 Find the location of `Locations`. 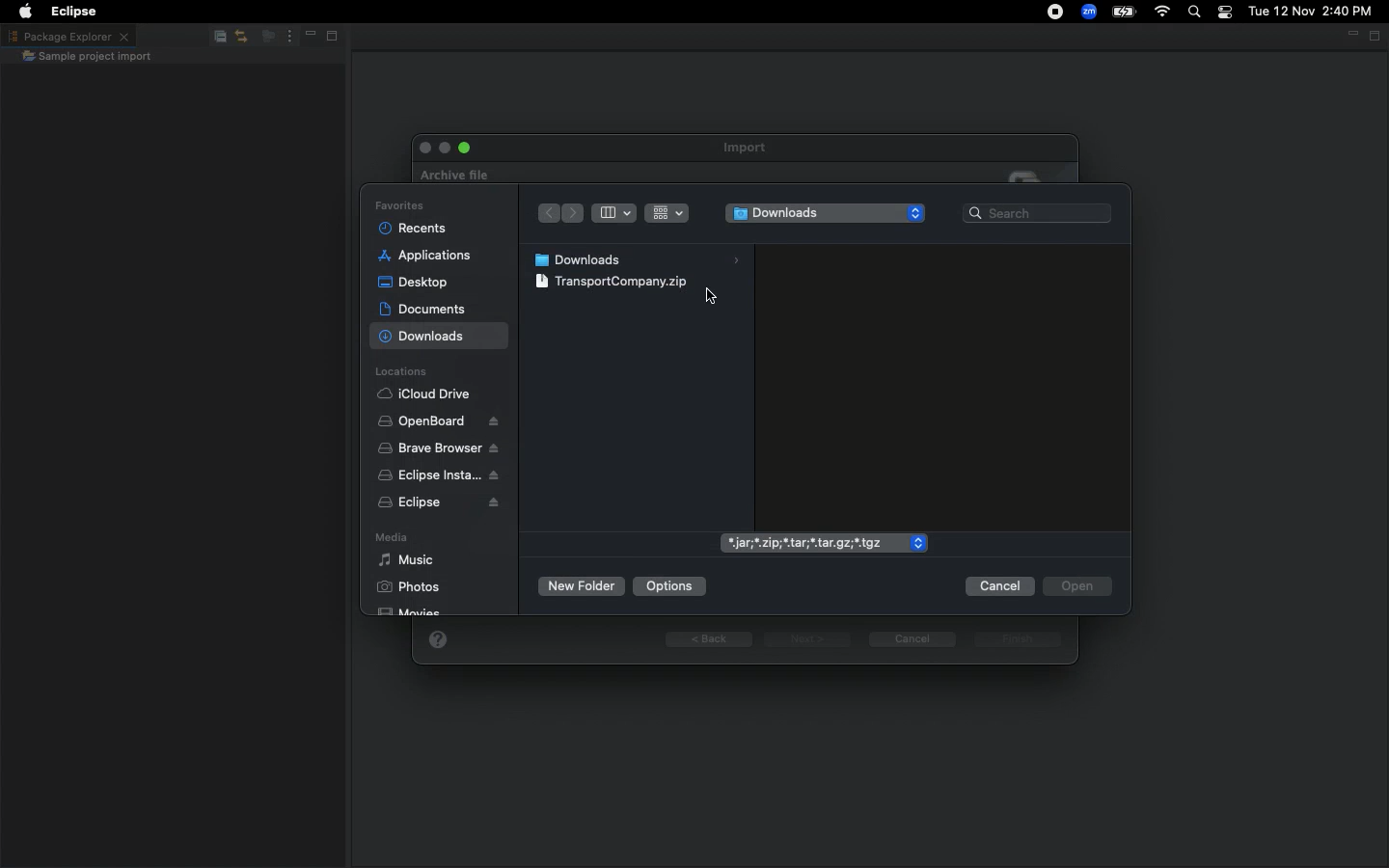

Locations is located at coordinates (403, 372).